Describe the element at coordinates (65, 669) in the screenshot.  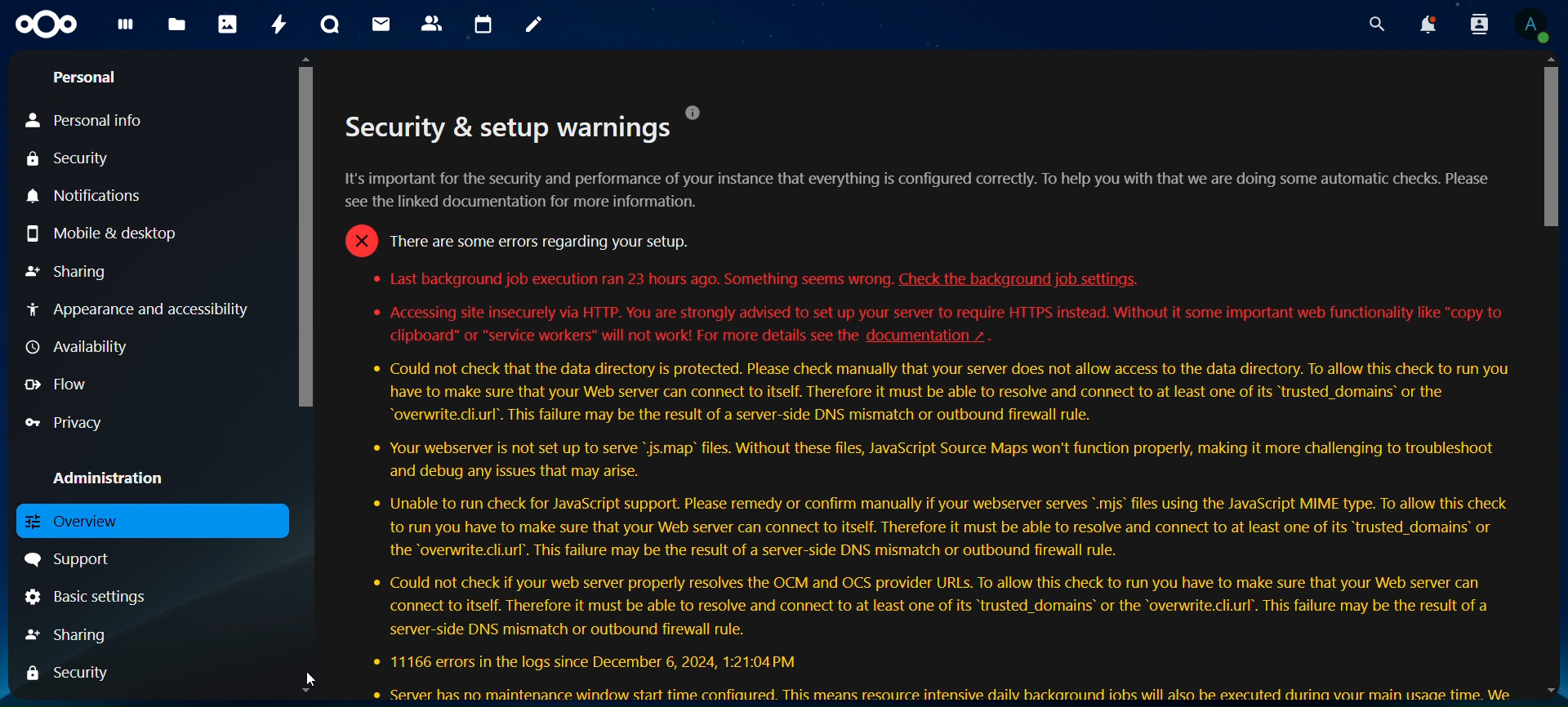
I see `security` at that location.